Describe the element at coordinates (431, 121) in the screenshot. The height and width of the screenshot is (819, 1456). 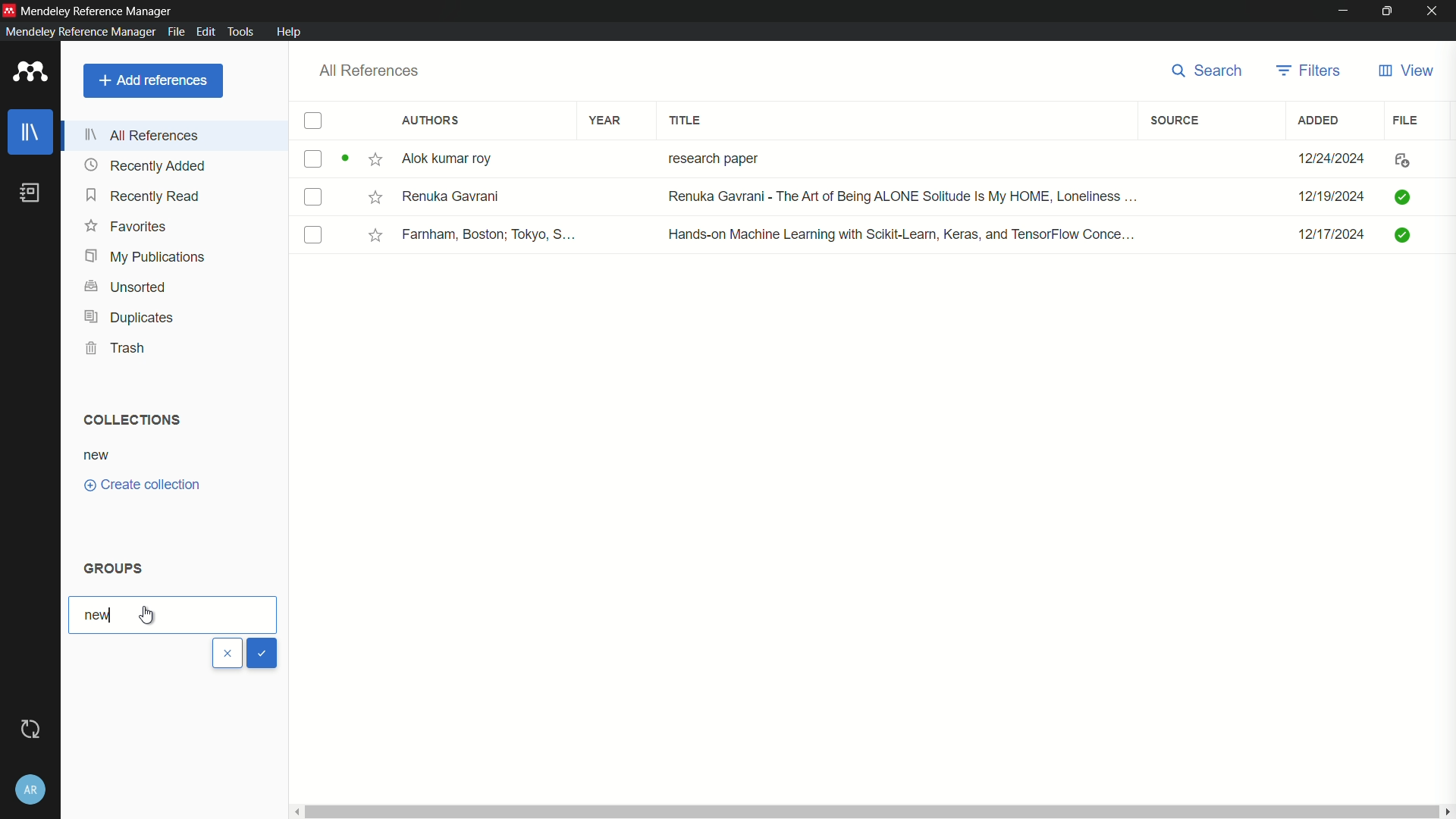
I see `authors` at that location.